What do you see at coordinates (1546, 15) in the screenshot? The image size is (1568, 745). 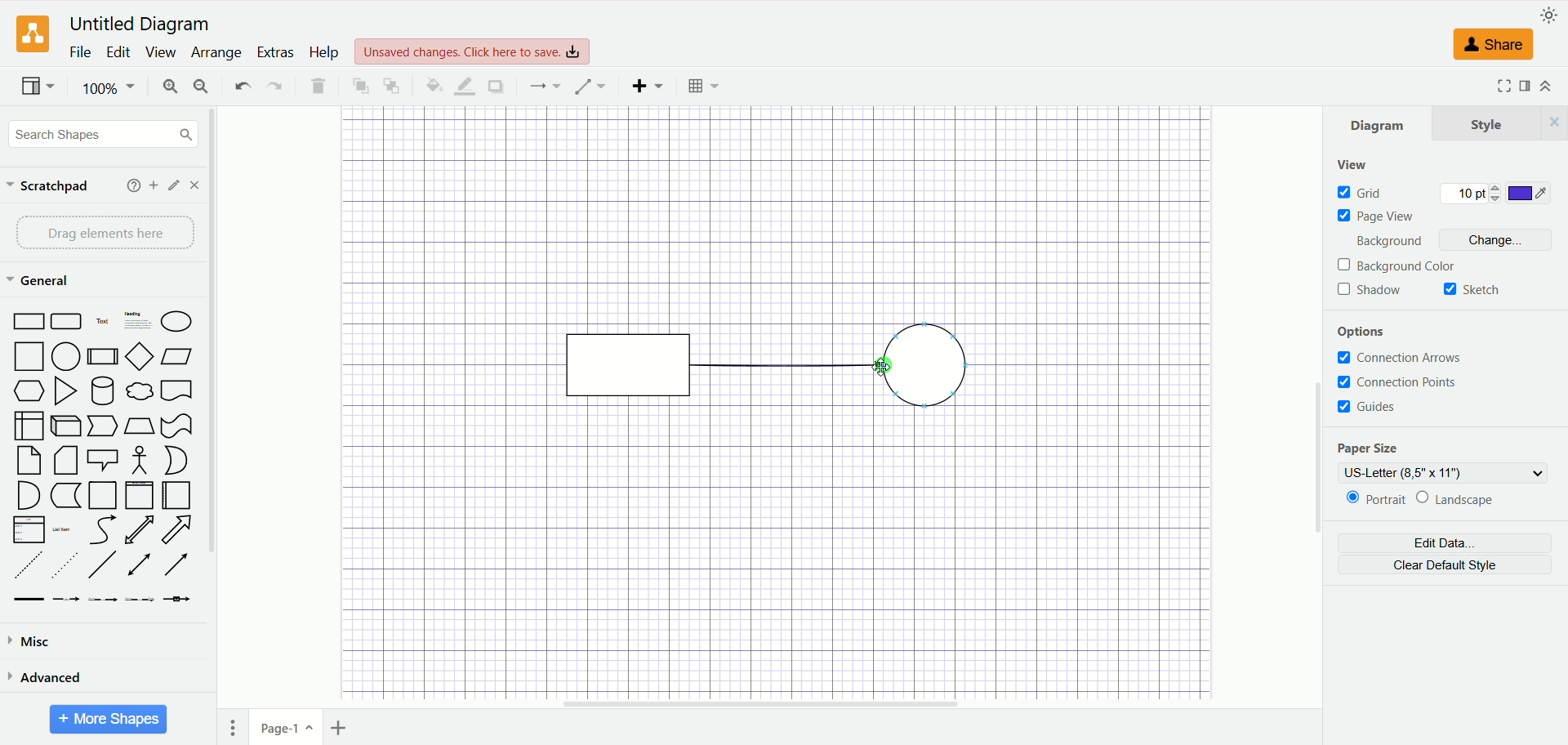 I see `appearance` at bounding box center [1546, 15].